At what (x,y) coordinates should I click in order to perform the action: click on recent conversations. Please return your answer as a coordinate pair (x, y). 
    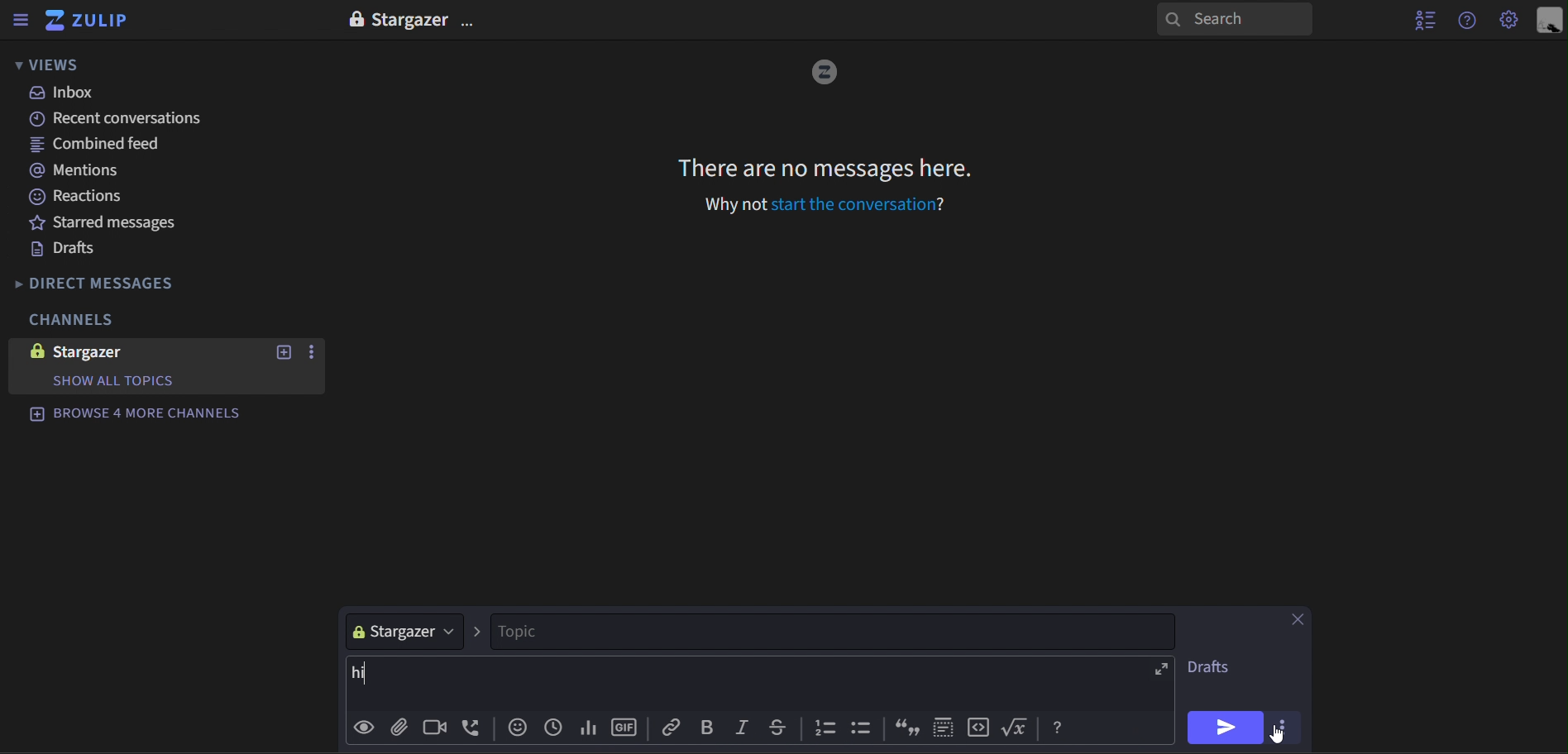
    Looking at the image, I should click on (112, 118).